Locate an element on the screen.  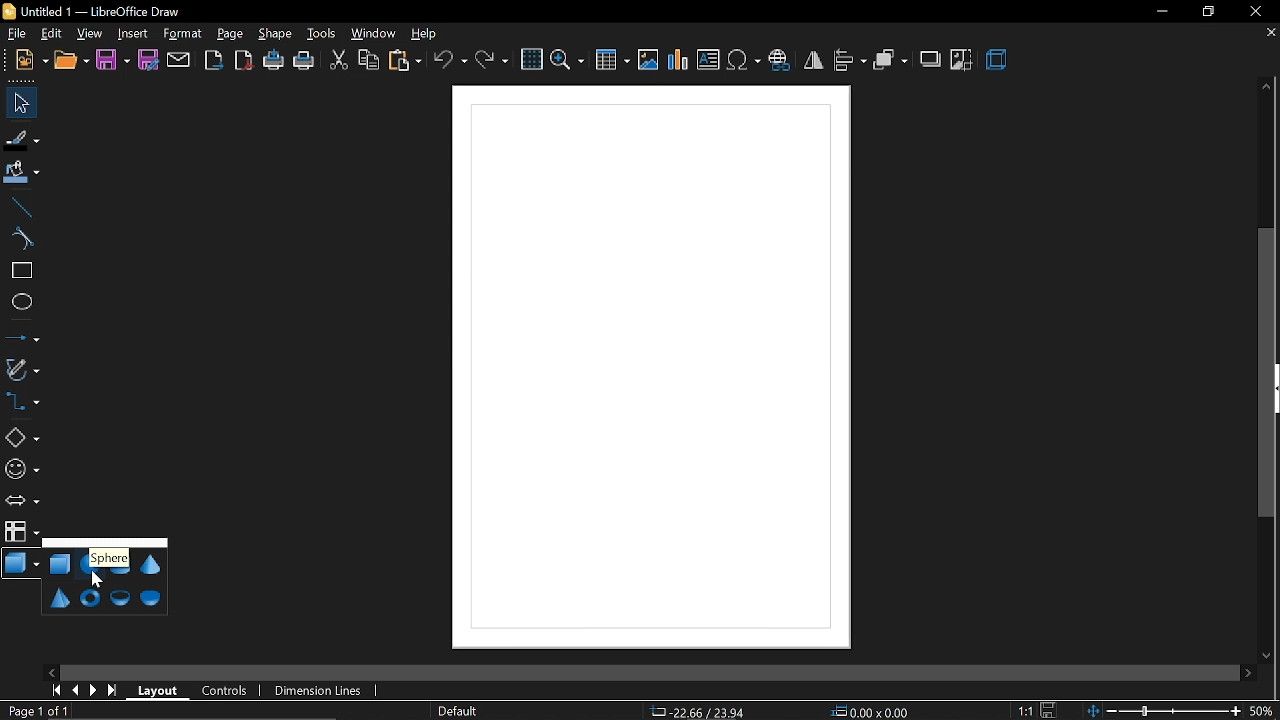
move down is located at coordinates (1270, 655).